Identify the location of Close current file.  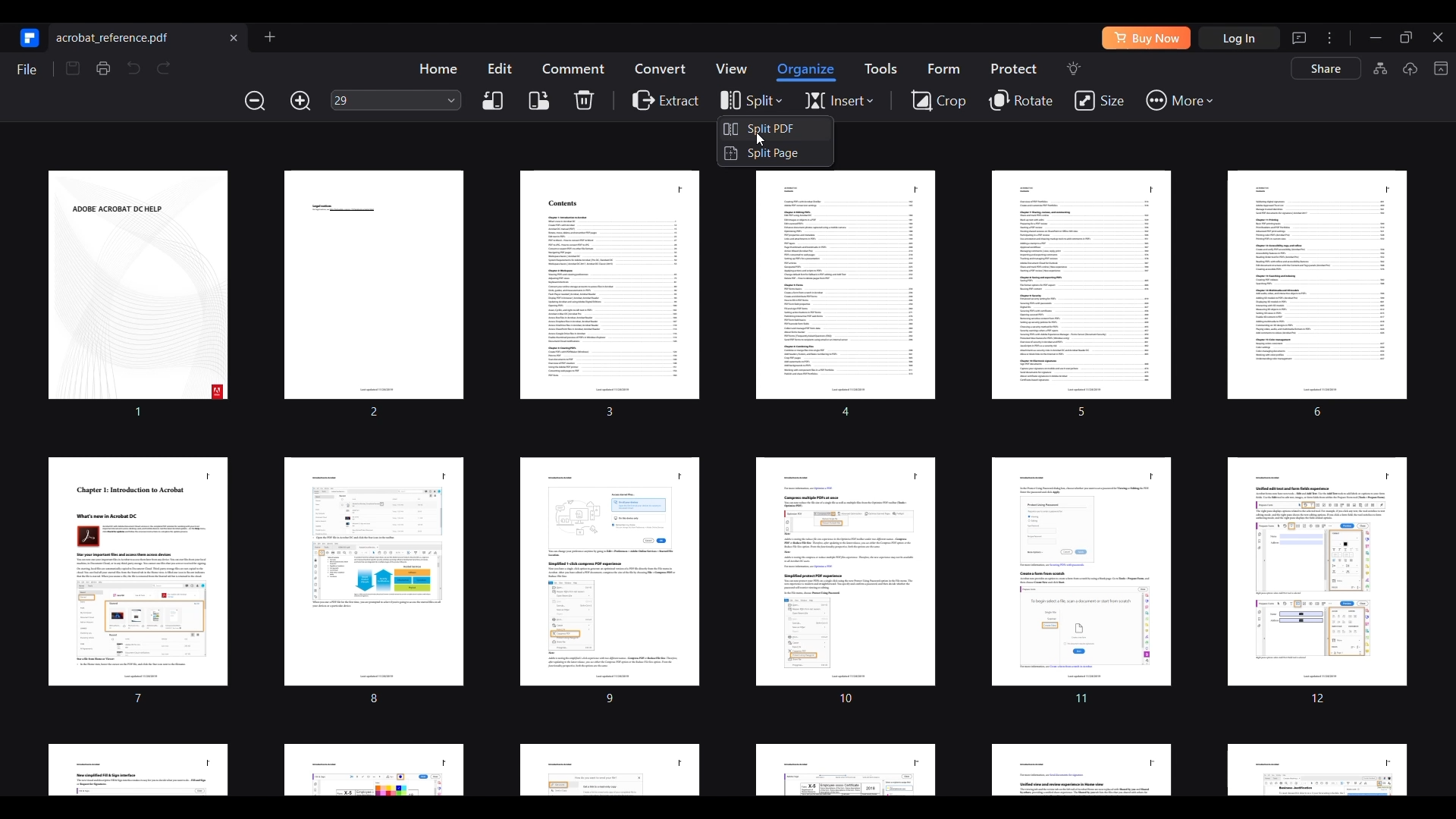
(233, 37).